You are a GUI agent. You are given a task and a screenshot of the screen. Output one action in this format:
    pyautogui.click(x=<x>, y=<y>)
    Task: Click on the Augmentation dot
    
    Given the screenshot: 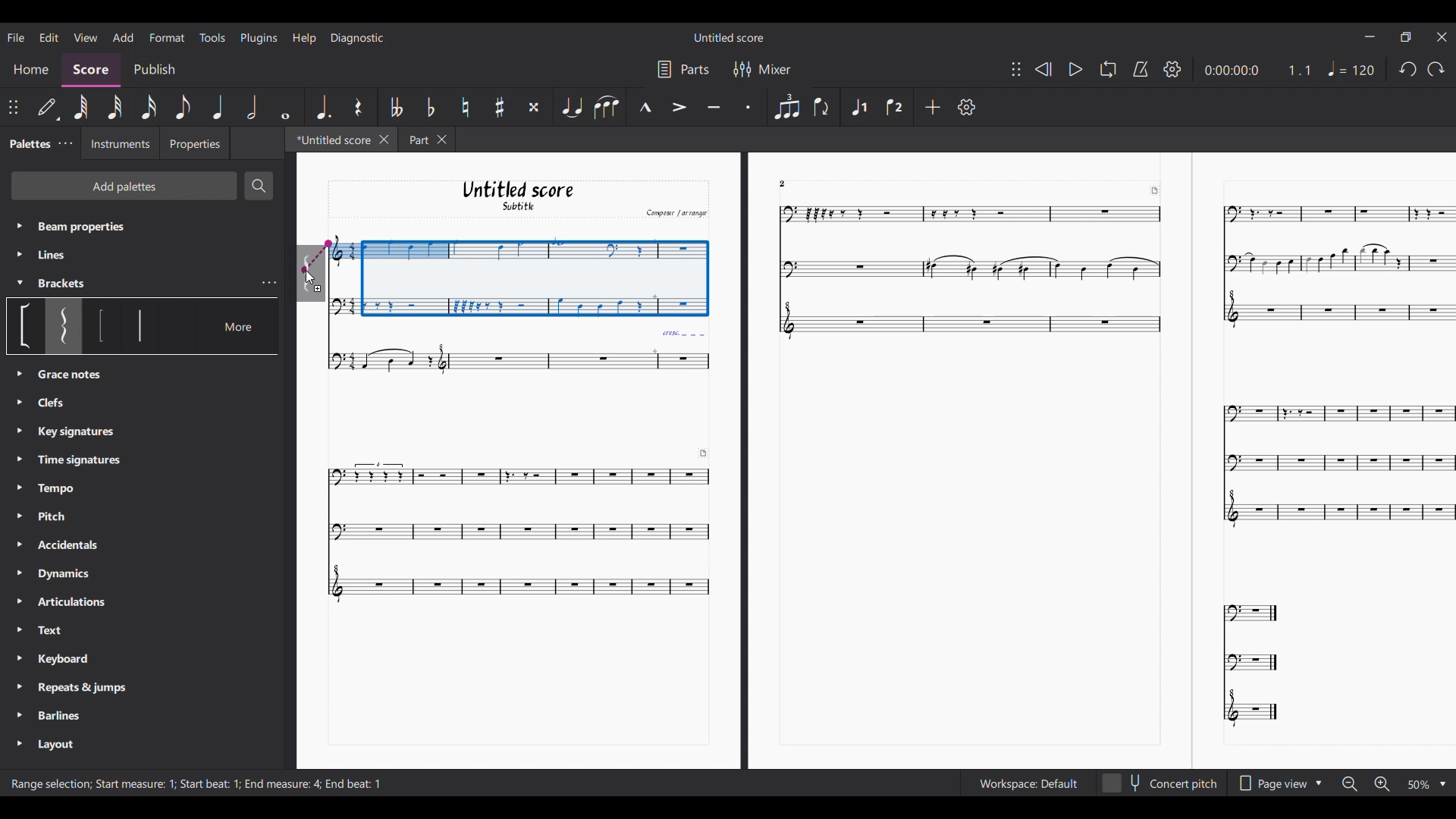 What is the action you would take?
    pyautogui.click(x=322, y=107)
    